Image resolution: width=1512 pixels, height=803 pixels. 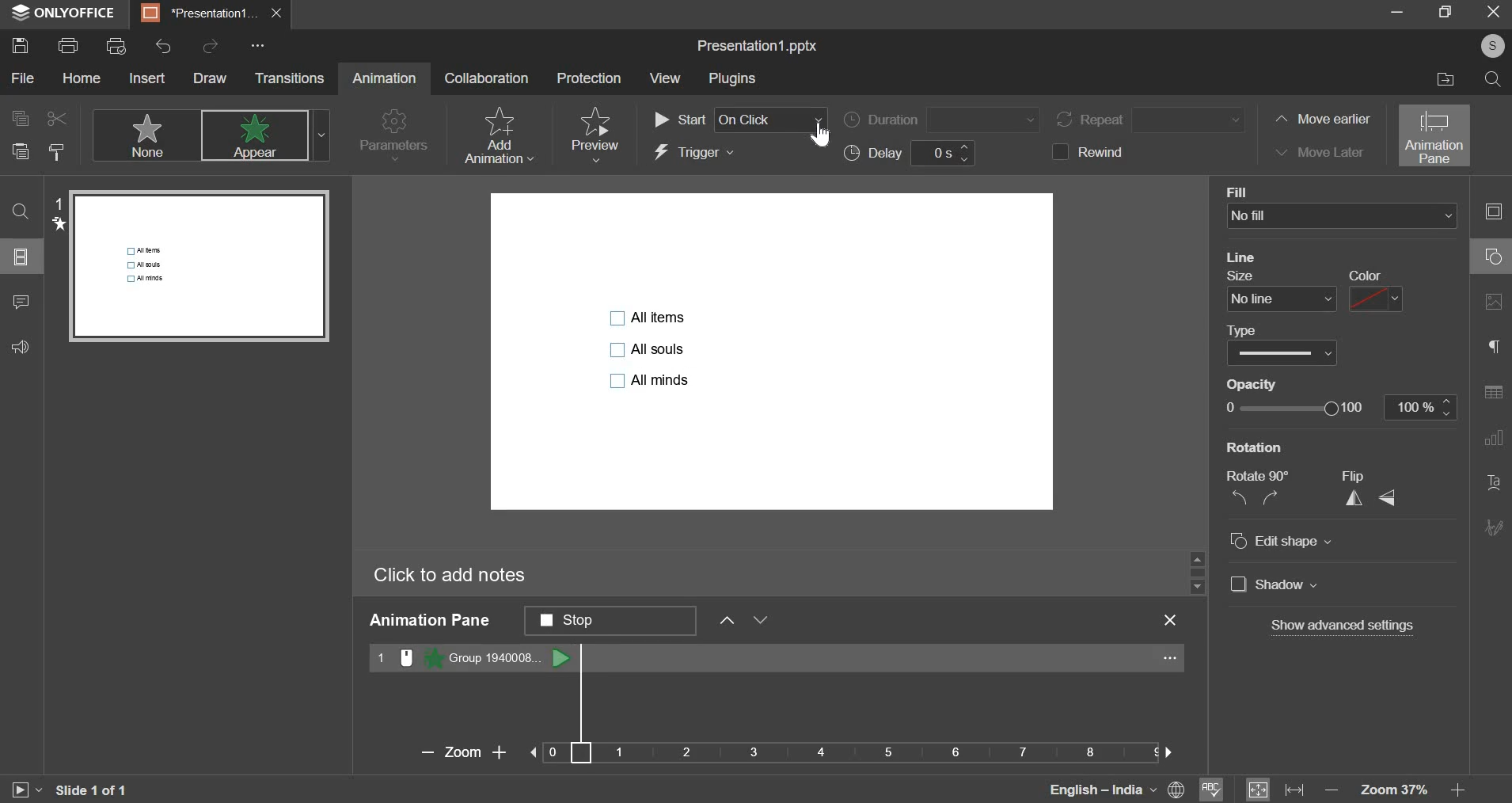 What do you see at coordinates (1342, 626) in the screenshot?
I see `Show advanced settings` at bounding box center [1342, 626].